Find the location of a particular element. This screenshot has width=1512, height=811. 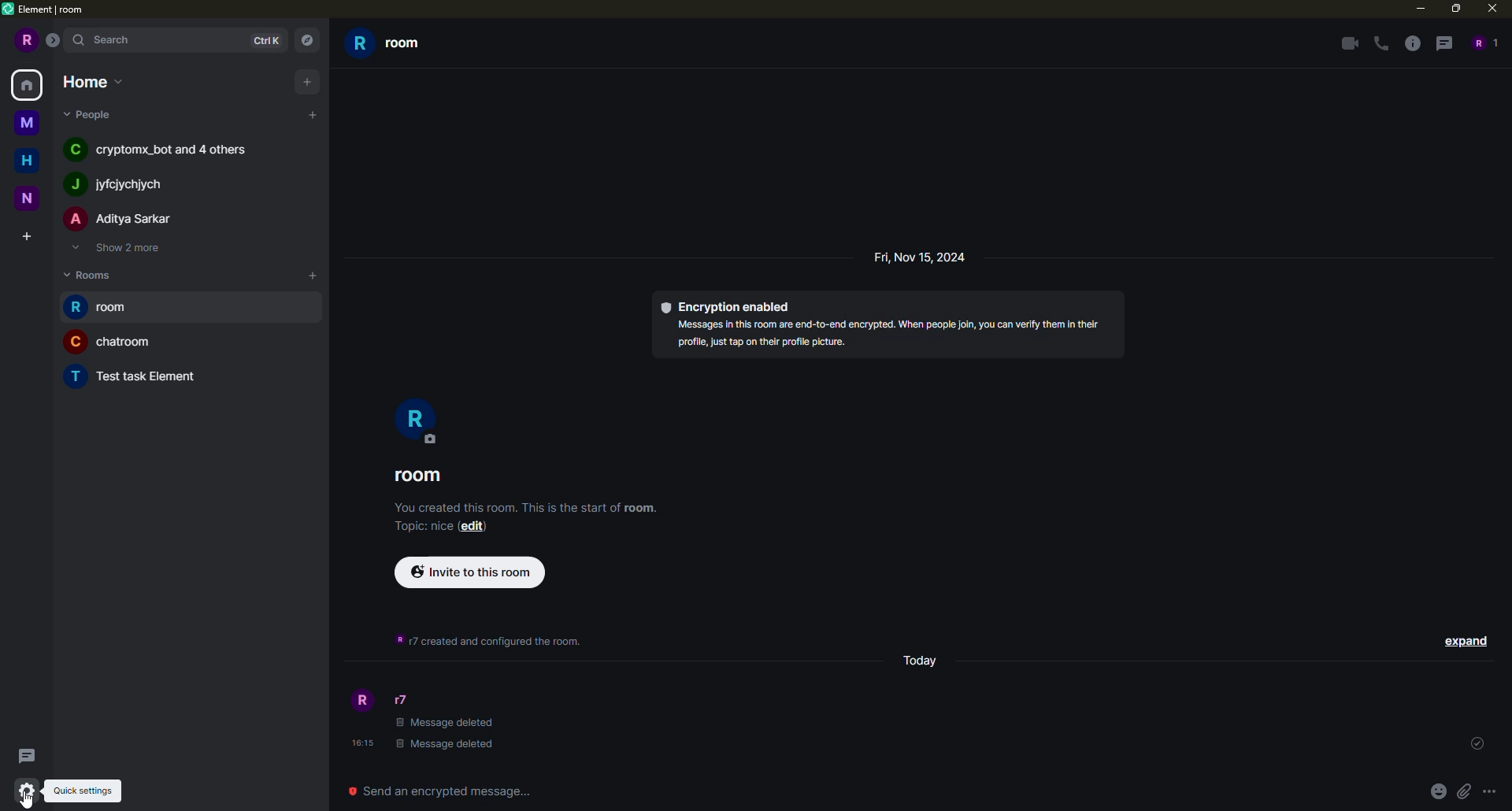

time is located at coordinates (362, 743).